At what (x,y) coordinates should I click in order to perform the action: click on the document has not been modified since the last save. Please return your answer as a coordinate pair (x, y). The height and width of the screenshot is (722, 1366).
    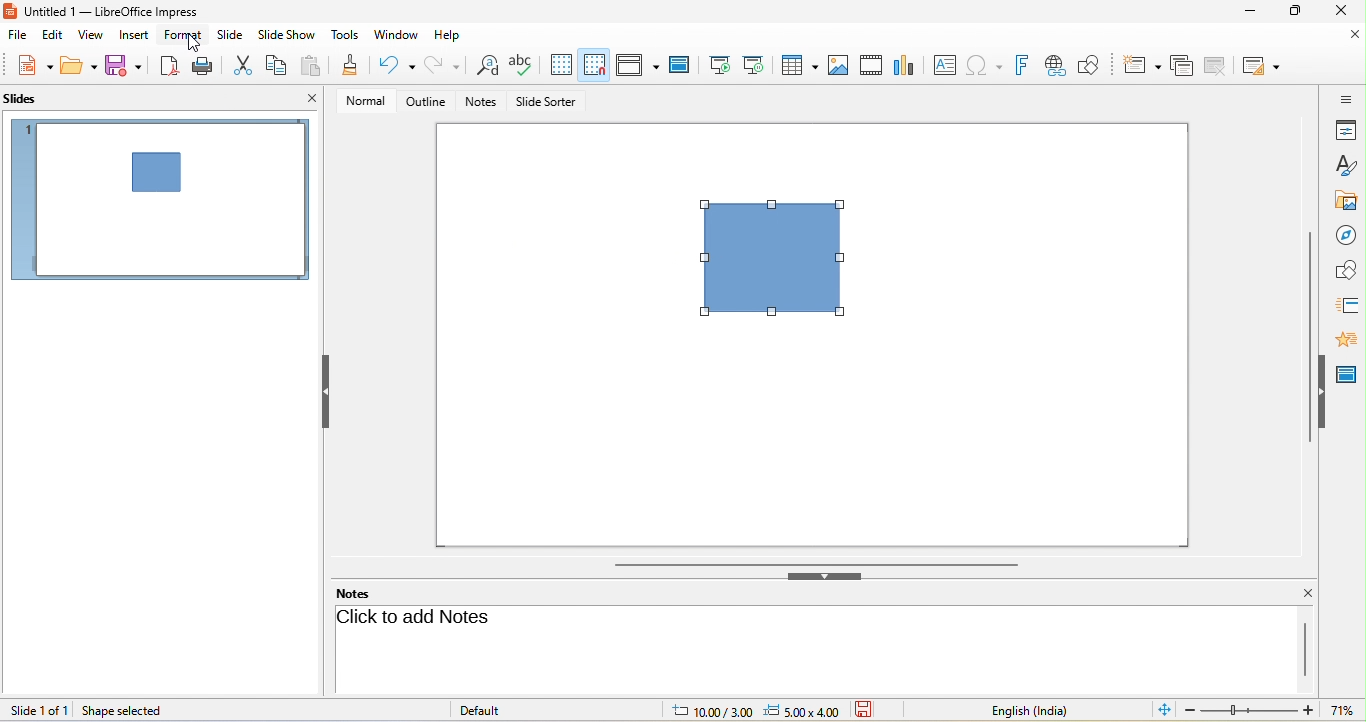
    Looking at the image, I should click on (873, 710).